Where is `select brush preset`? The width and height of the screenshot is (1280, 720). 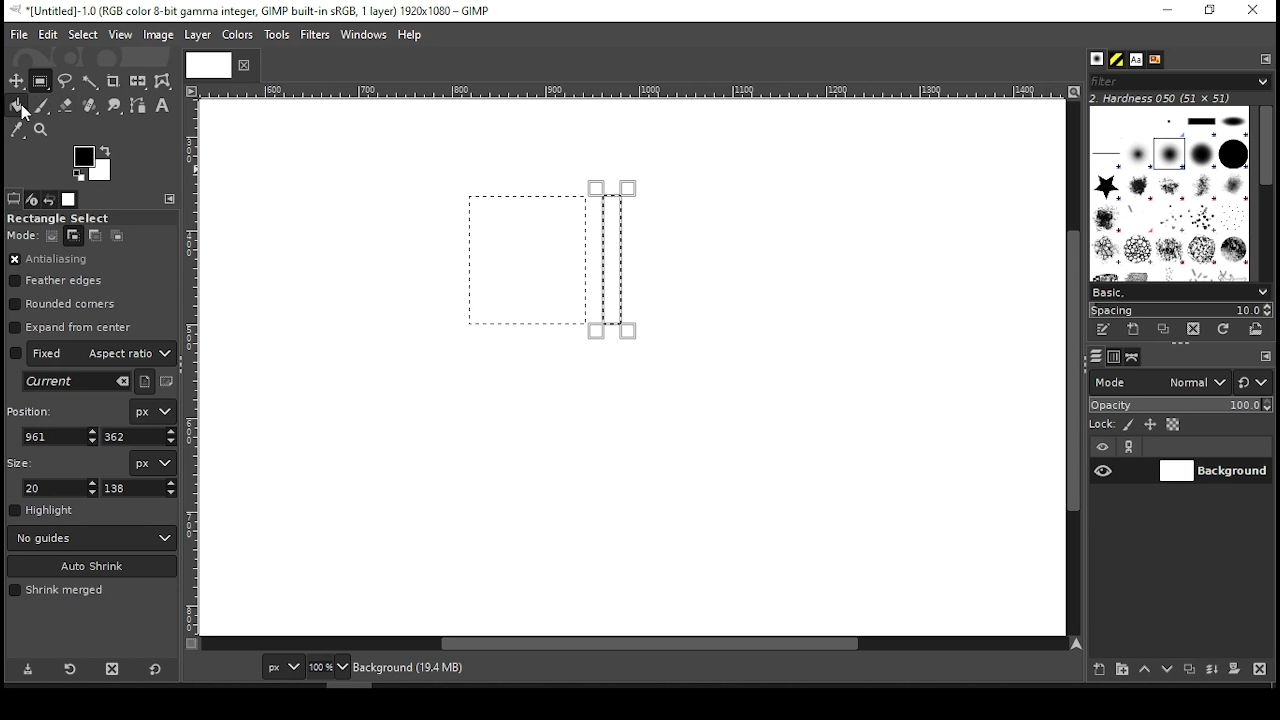
select brush preset is located at coordinates (1182, 291).